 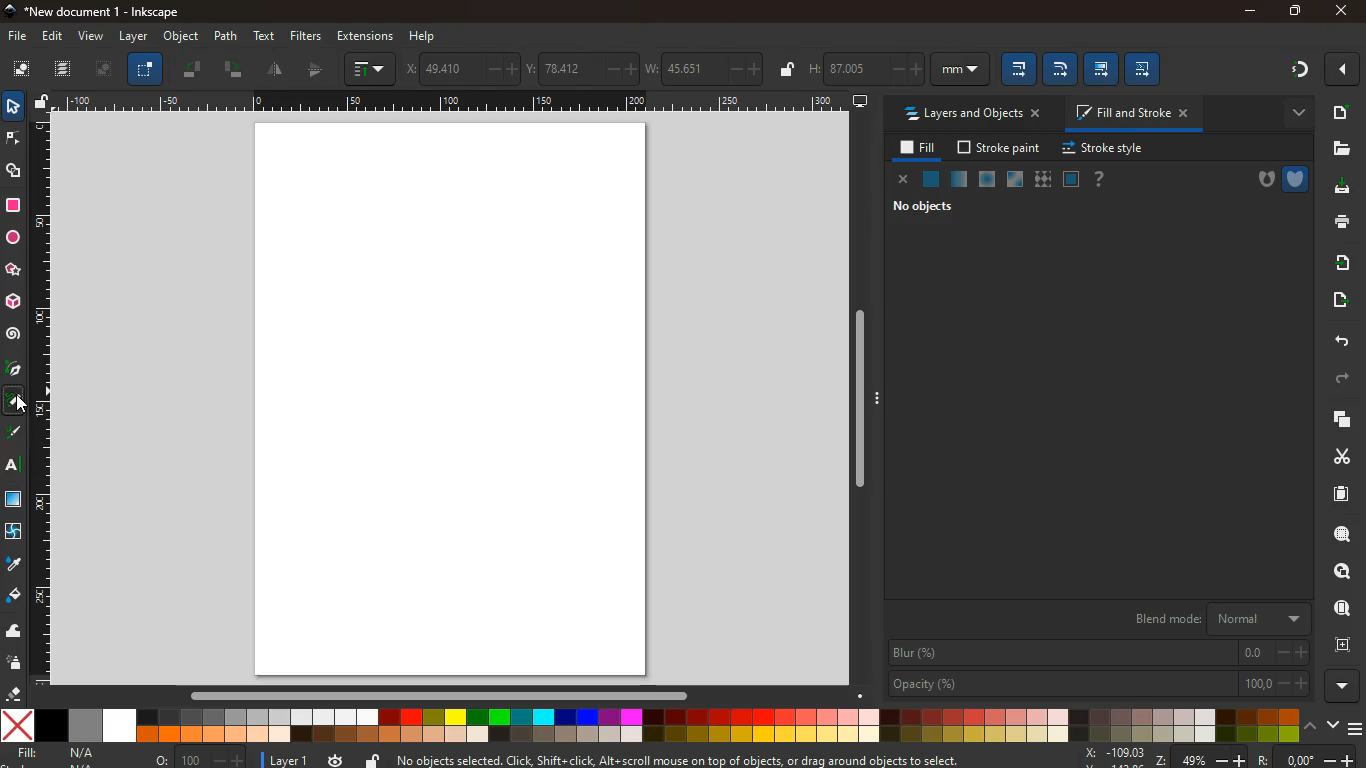 I want to click on drop, so click(x=13, y=565).